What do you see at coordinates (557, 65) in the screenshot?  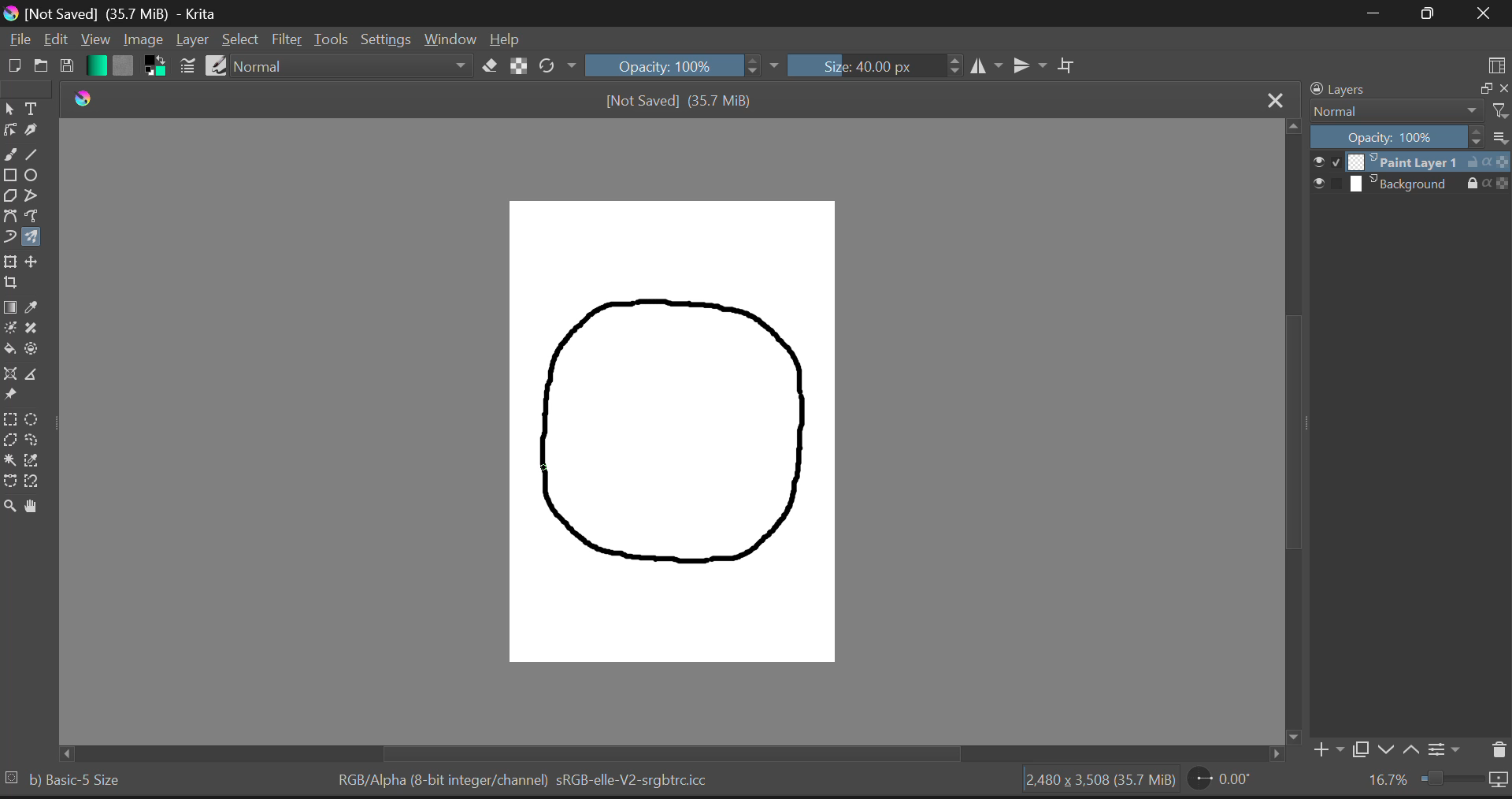 I see `Rotate` at bounding box center [557, 65].